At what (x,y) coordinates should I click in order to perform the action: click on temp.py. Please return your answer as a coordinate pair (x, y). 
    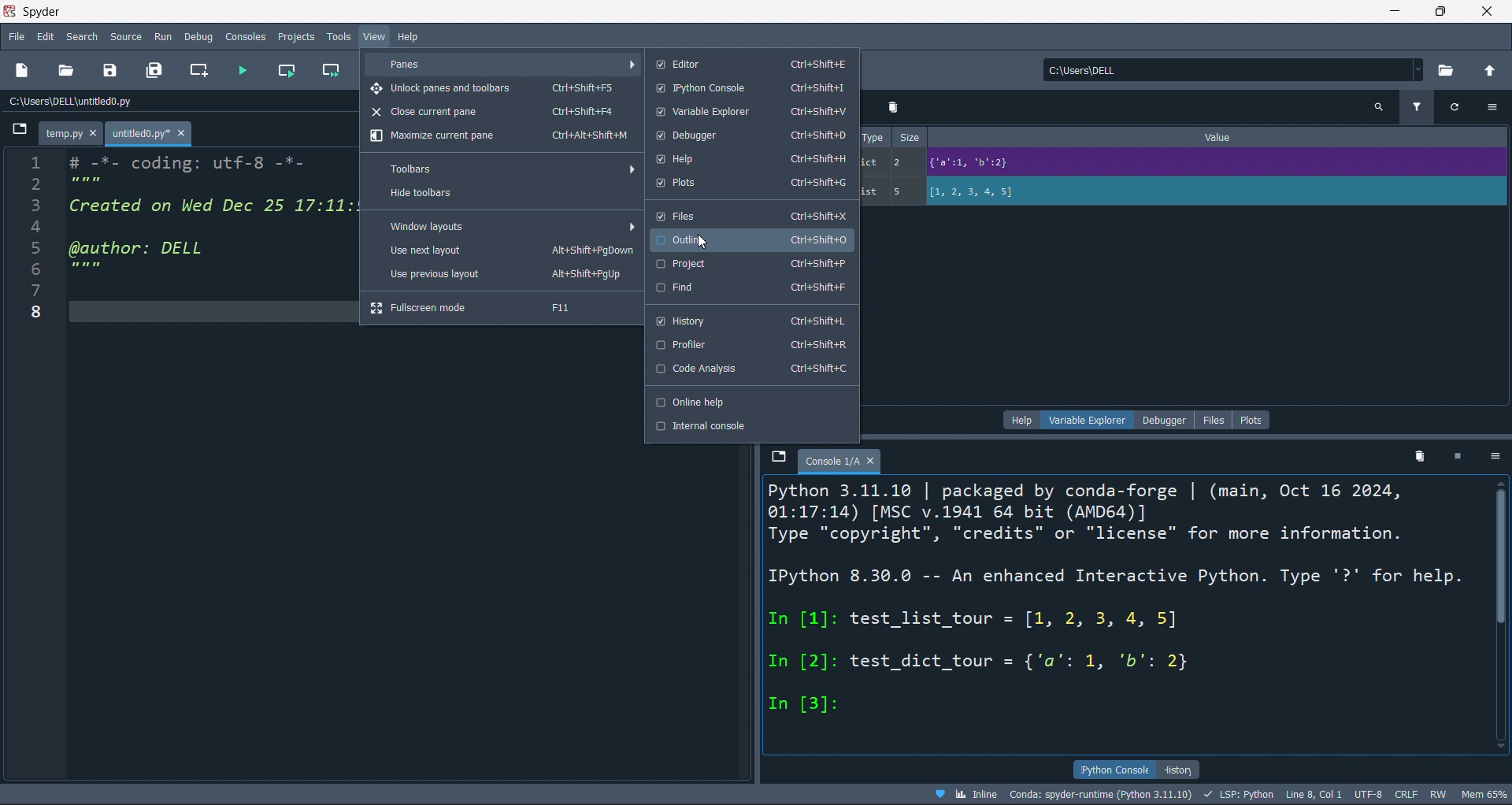
    Looking at the image, I should click on (70, 133).